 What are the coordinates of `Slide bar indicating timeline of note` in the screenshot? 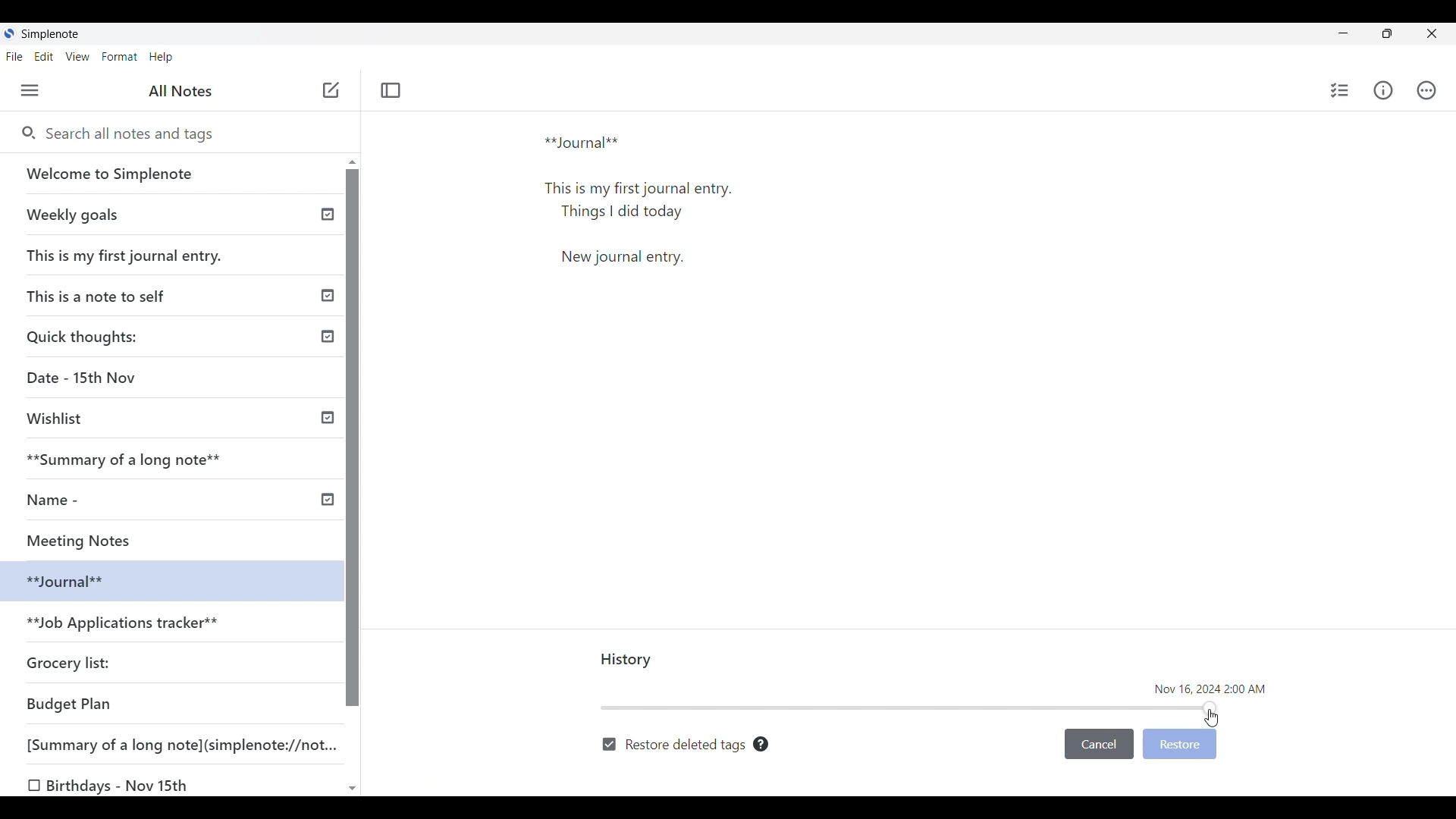 It's located at (910, 708).